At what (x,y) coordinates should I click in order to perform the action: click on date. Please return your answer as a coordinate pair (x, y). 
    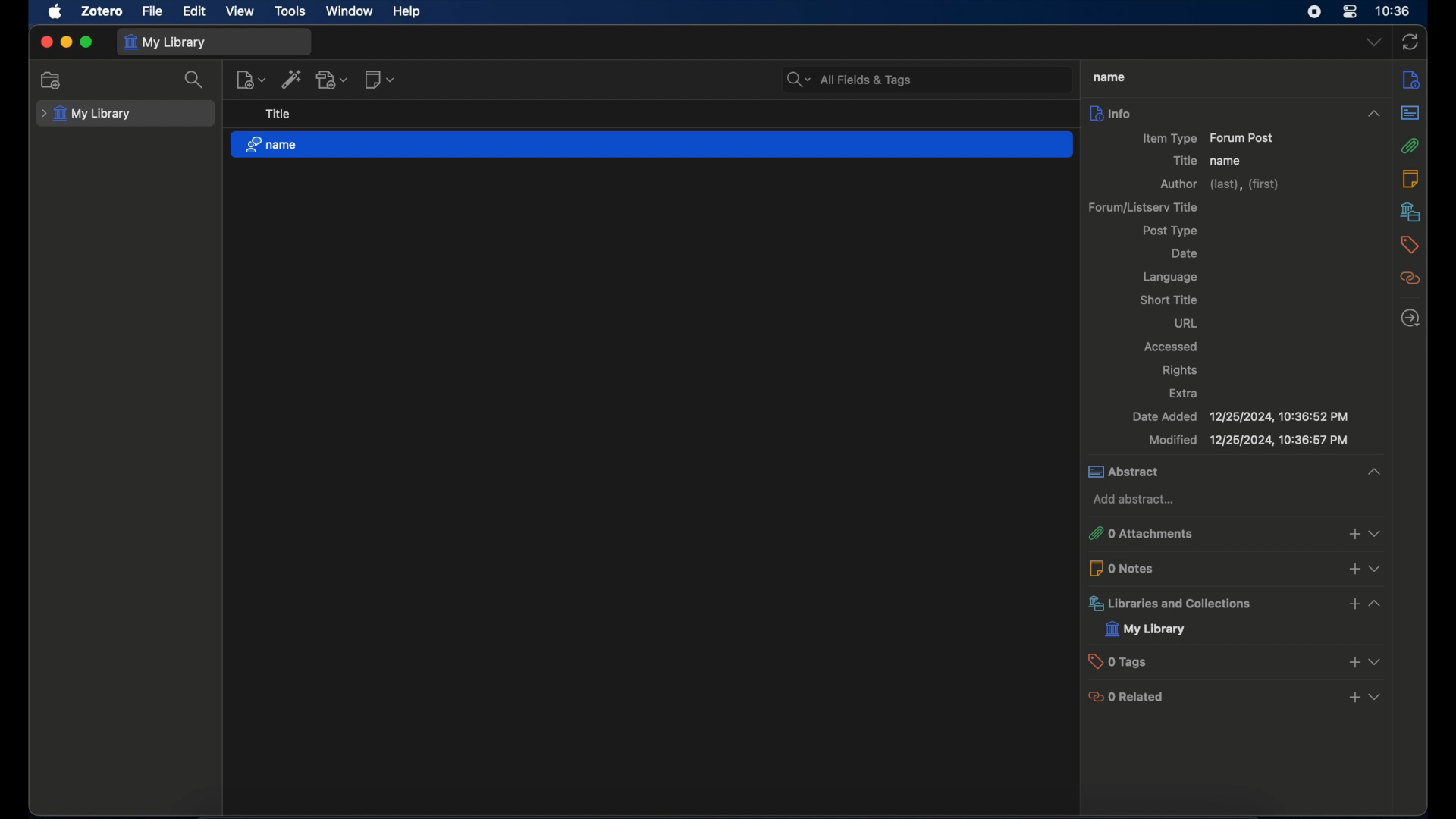
    Looking at the image, I should click on (1187, 253).